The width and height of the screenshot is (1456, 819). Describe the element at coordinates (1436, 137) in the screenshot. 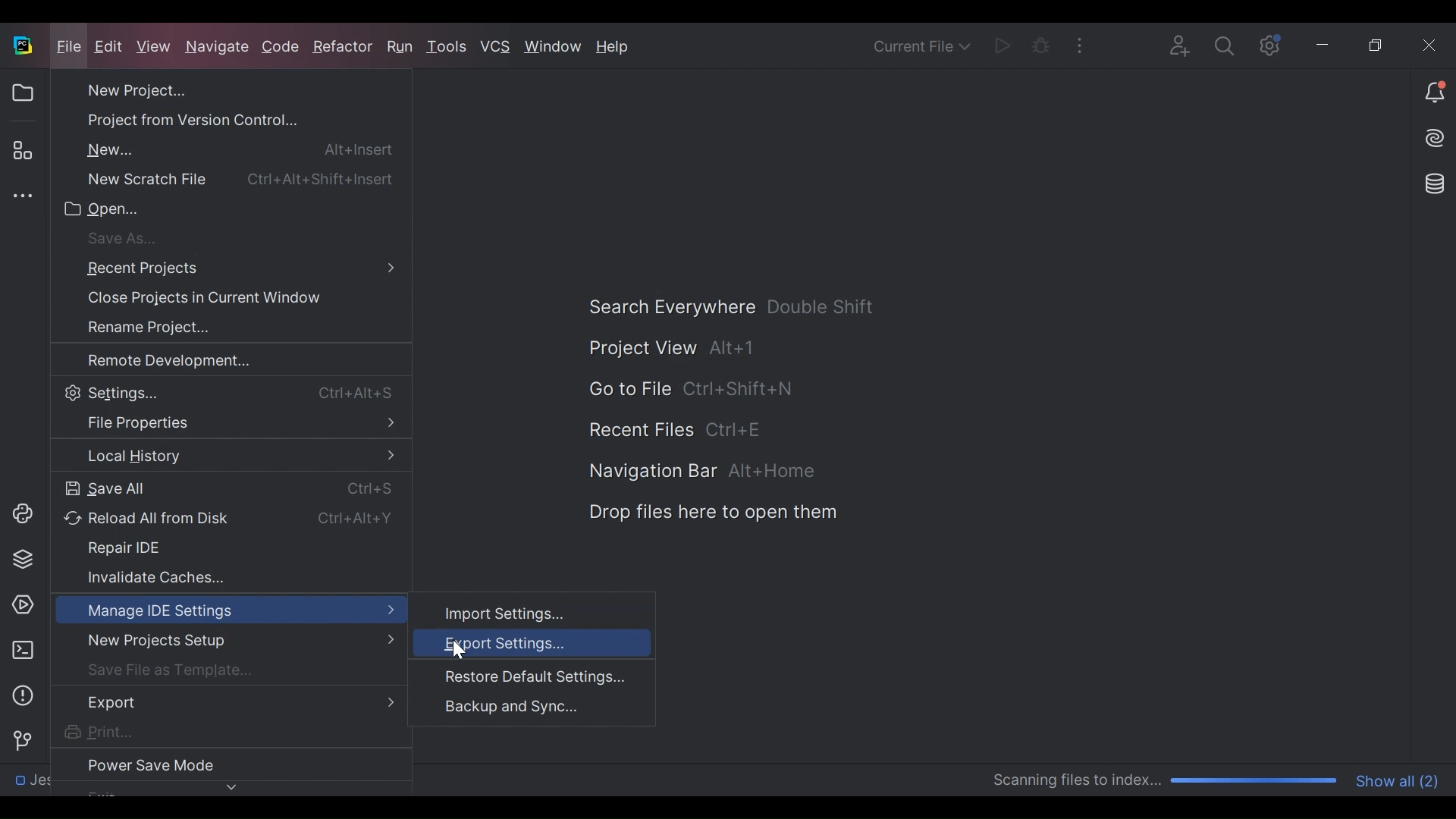

I see `AI Assistant` at that location.